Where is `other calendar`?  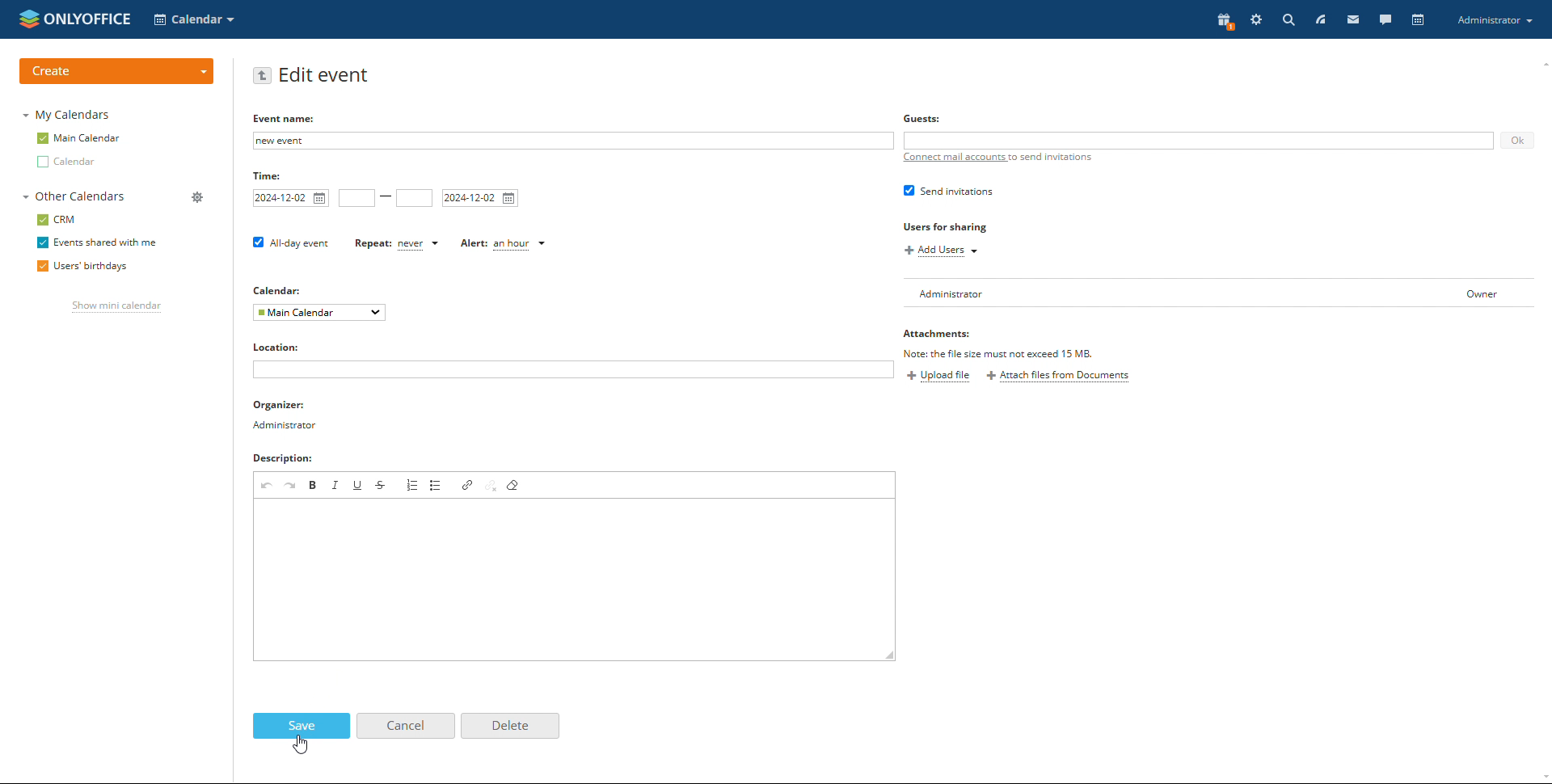 other calendar is located at coordinates (65, 163).